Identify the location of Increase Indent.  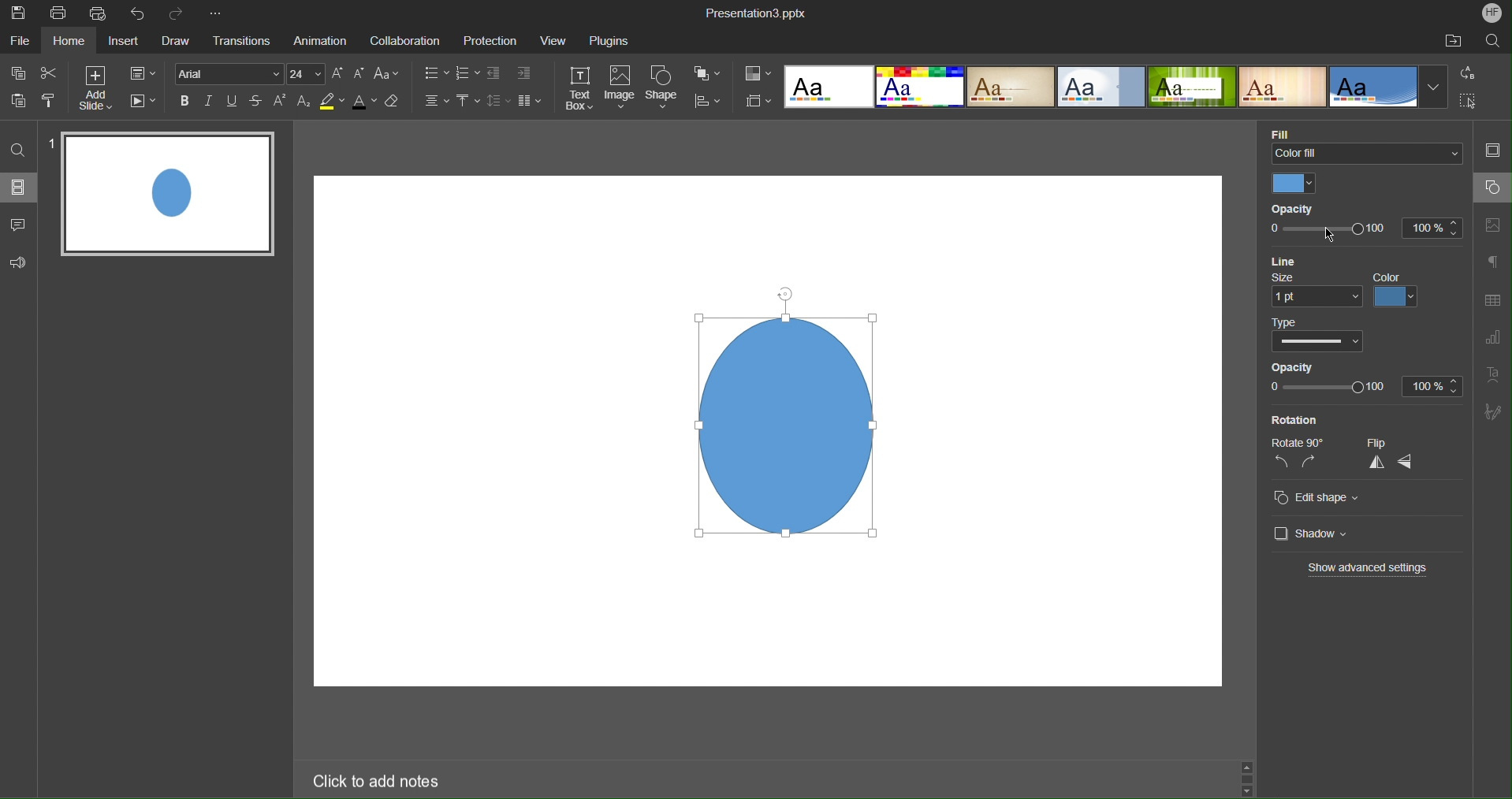
(524, 73).